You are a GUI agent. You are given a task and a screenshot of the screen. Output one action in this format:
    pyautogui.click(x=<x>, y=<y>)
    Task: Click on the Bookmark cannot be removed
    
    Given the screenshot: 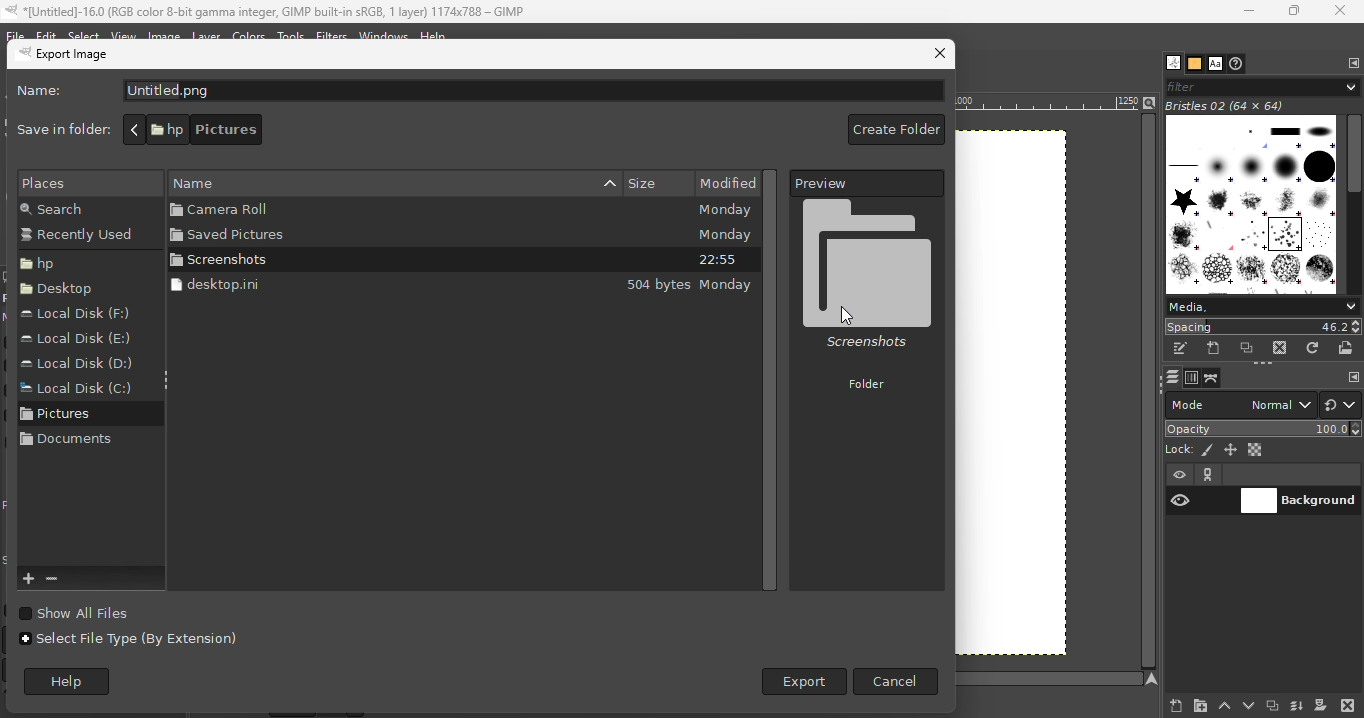 What is the action you would take?
    pyautogui.click(x=67, y=579)
    